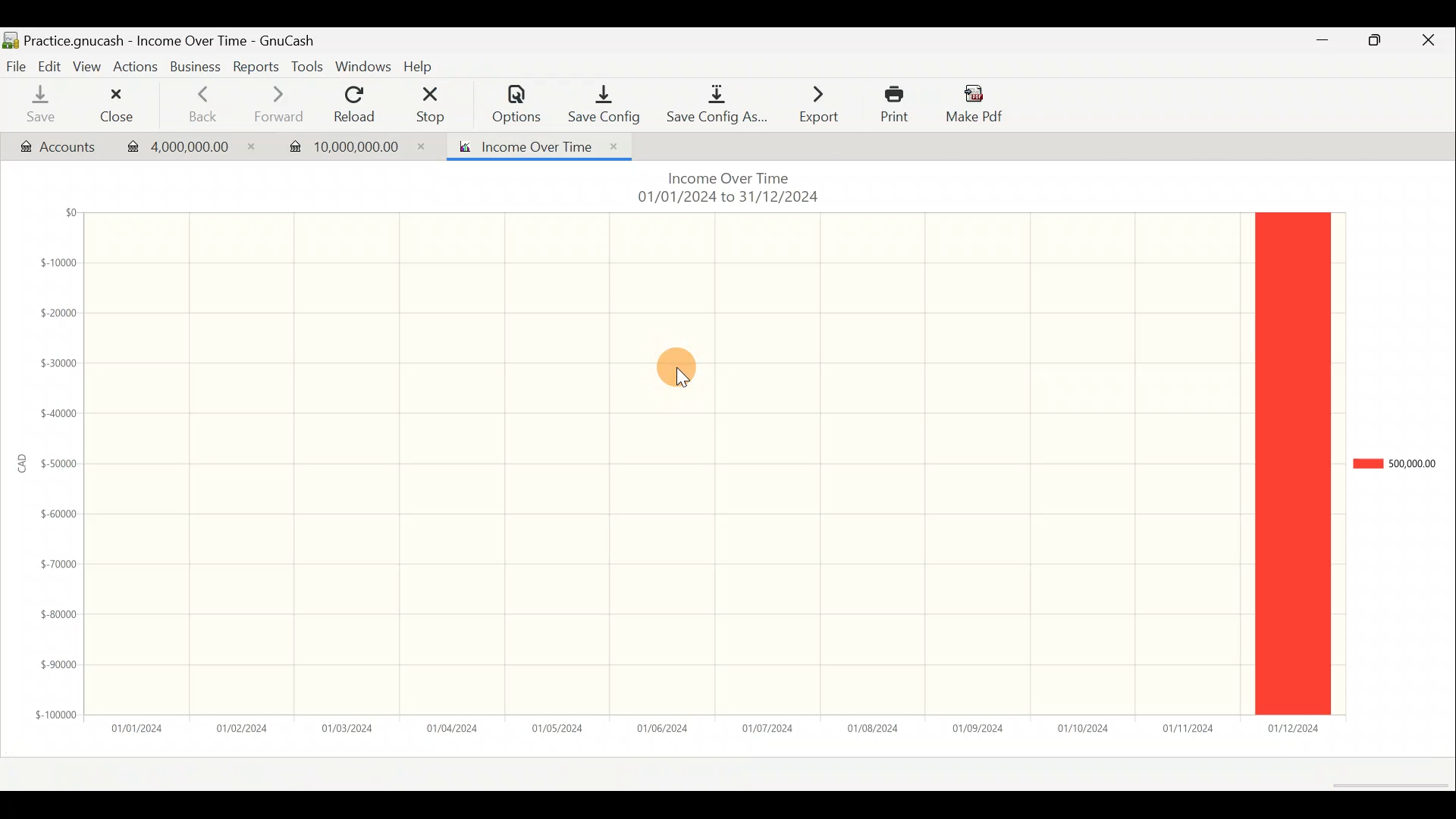 The image size is (1456, 819). What do you see at coordinates (17, 67) in the screenshot?
I see `File` at bounding box center [17, 67].